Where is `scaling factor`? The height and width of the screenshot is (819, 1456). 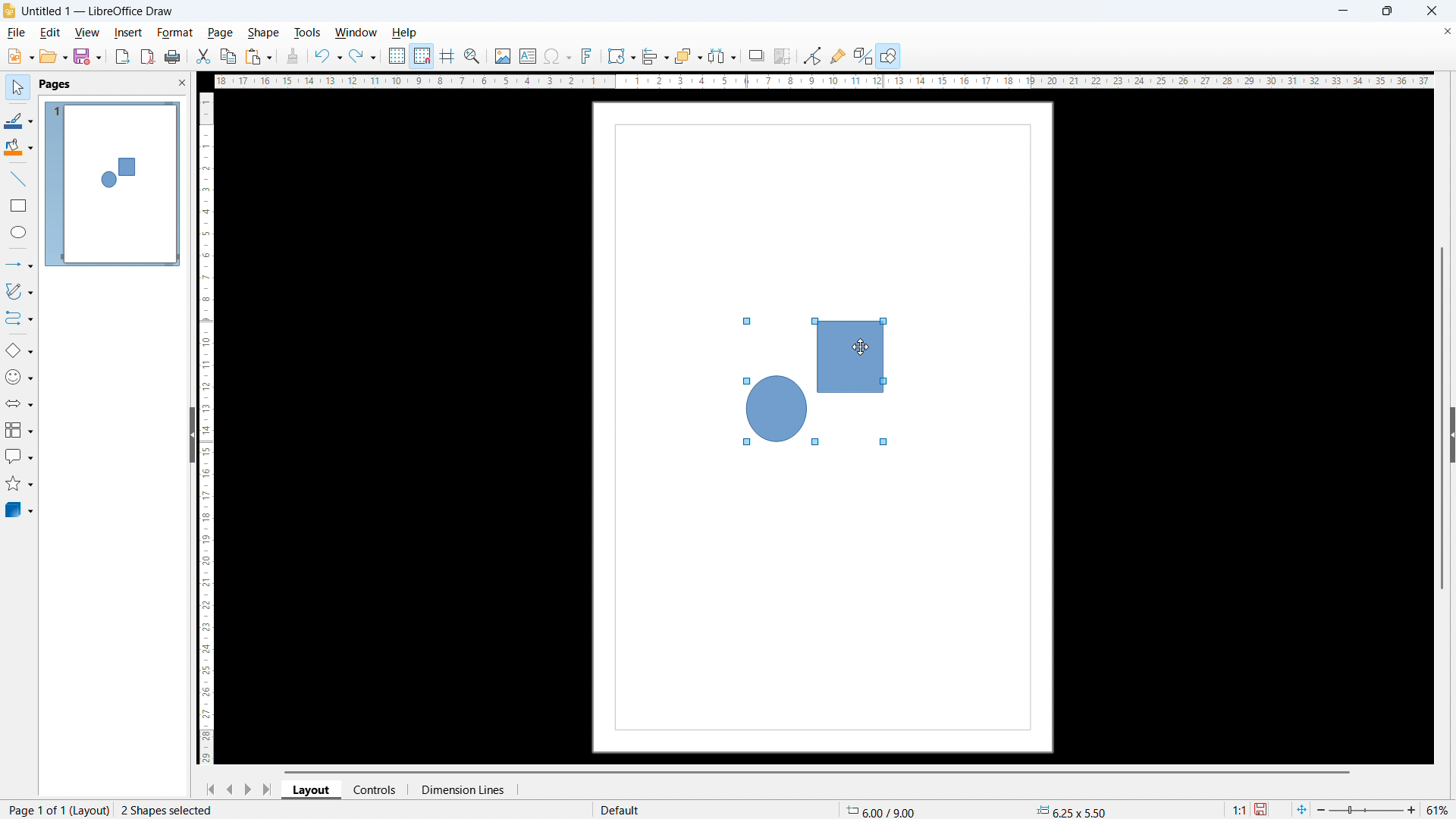
scaling factor is located at coordinates (1241, 809).